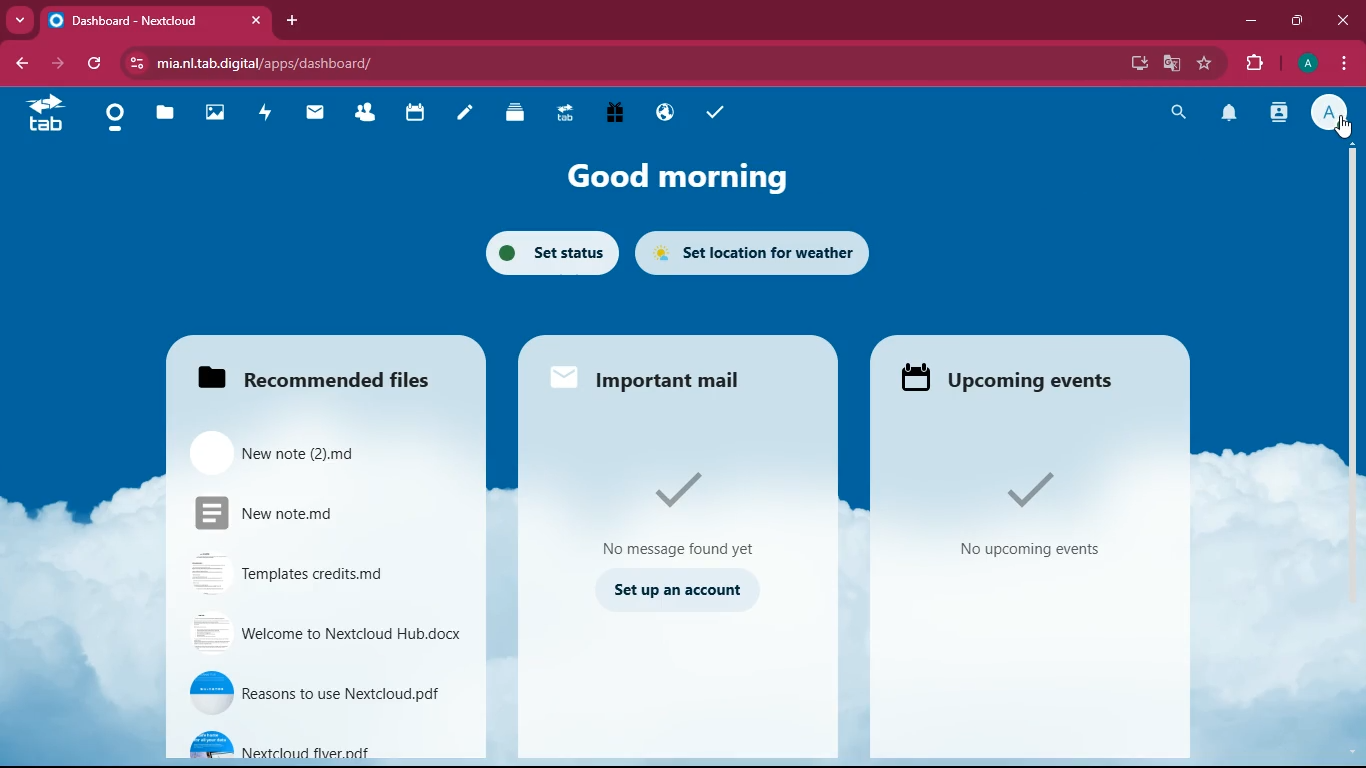 This screenshot has height=768, width=1366. I want to click on View site information, so click(137, 63).